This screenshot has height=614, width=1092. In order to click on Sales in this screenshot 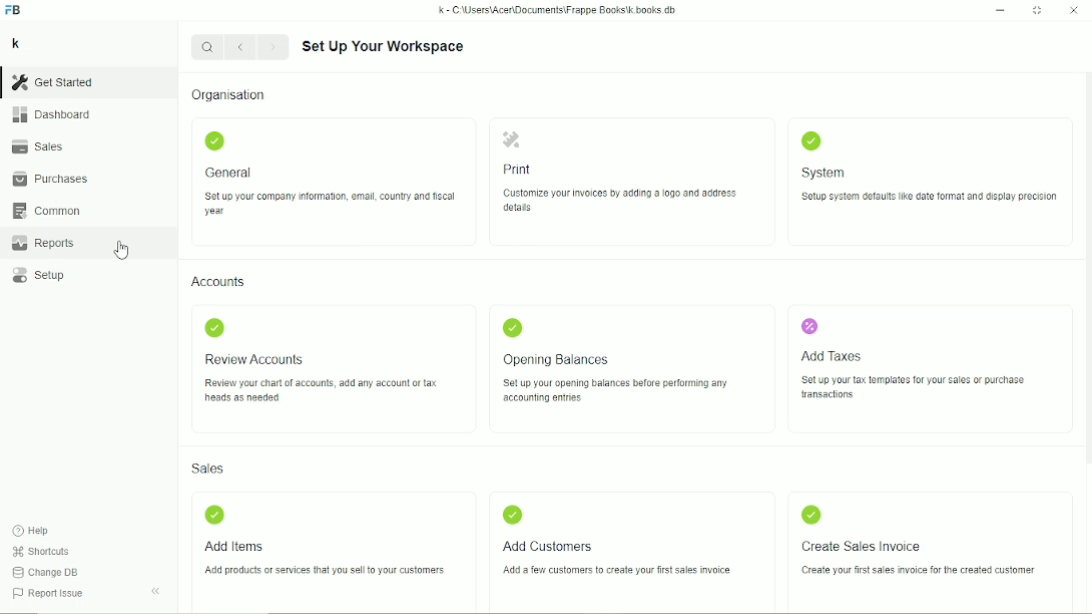, I will do `click(37, 145)`.